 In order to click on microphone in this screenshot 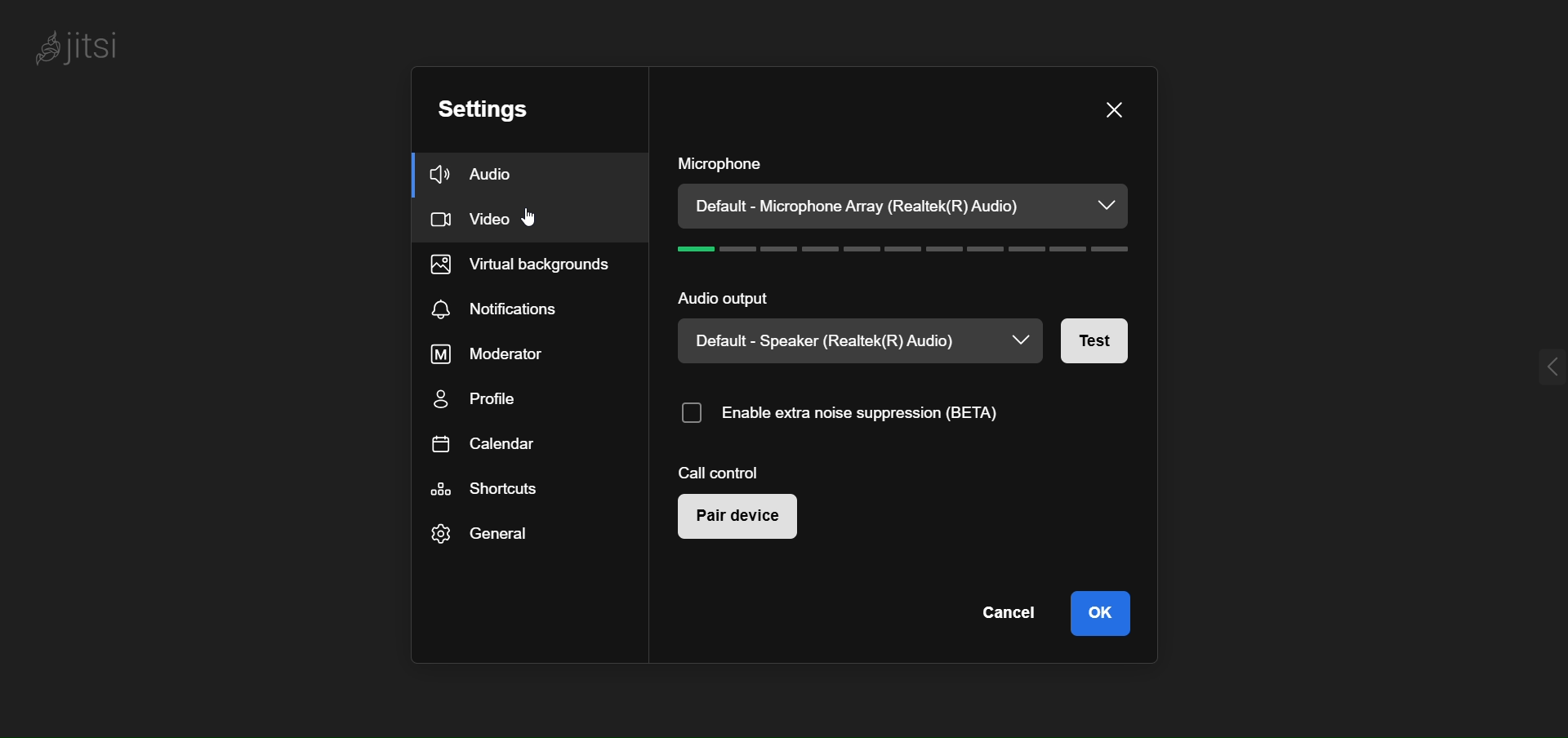, I will do `click(721, 162)`.